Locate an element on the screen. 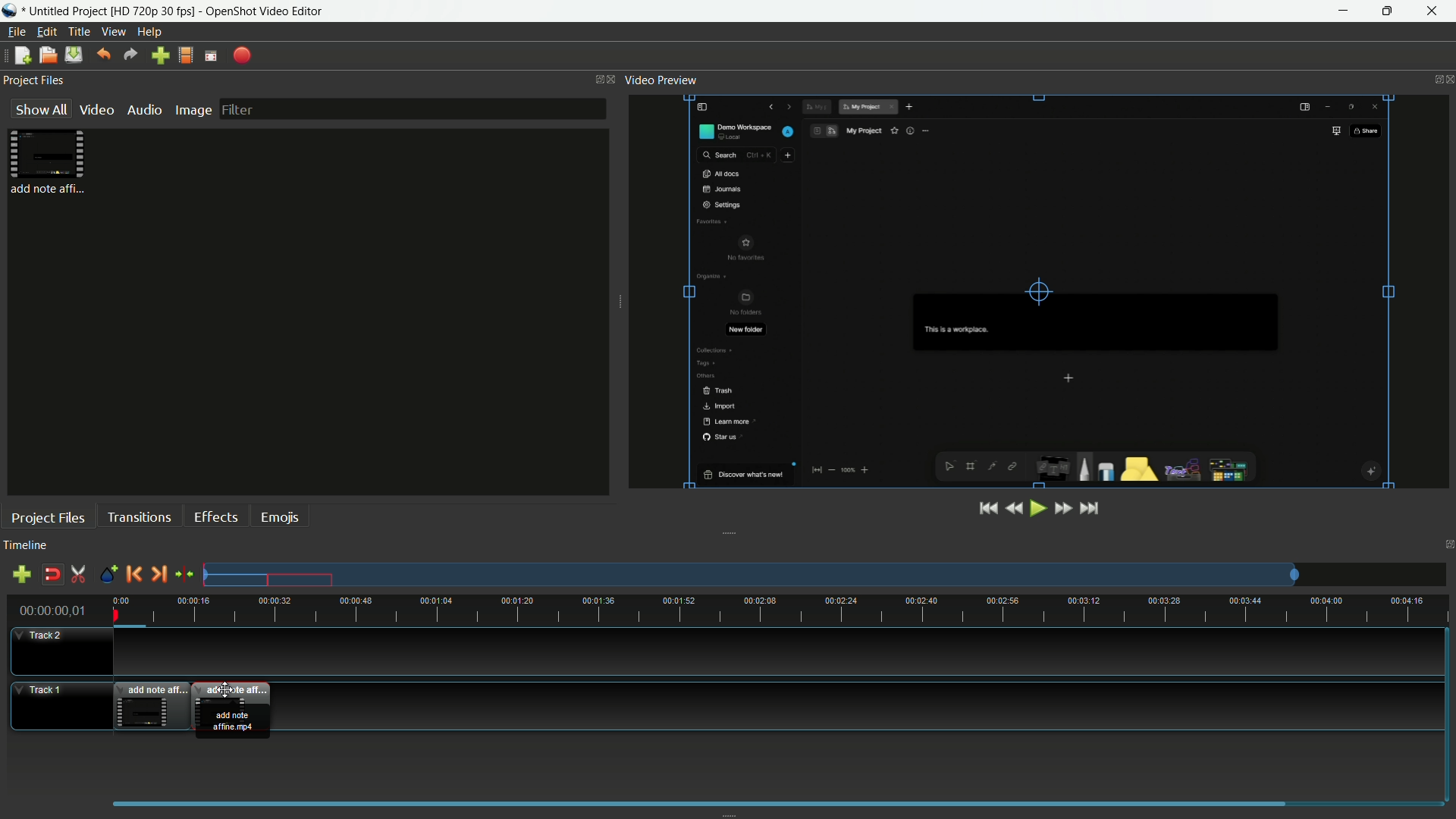 This screenshot has height=819, width=1456. app icon is located at coordinates (11, 11).